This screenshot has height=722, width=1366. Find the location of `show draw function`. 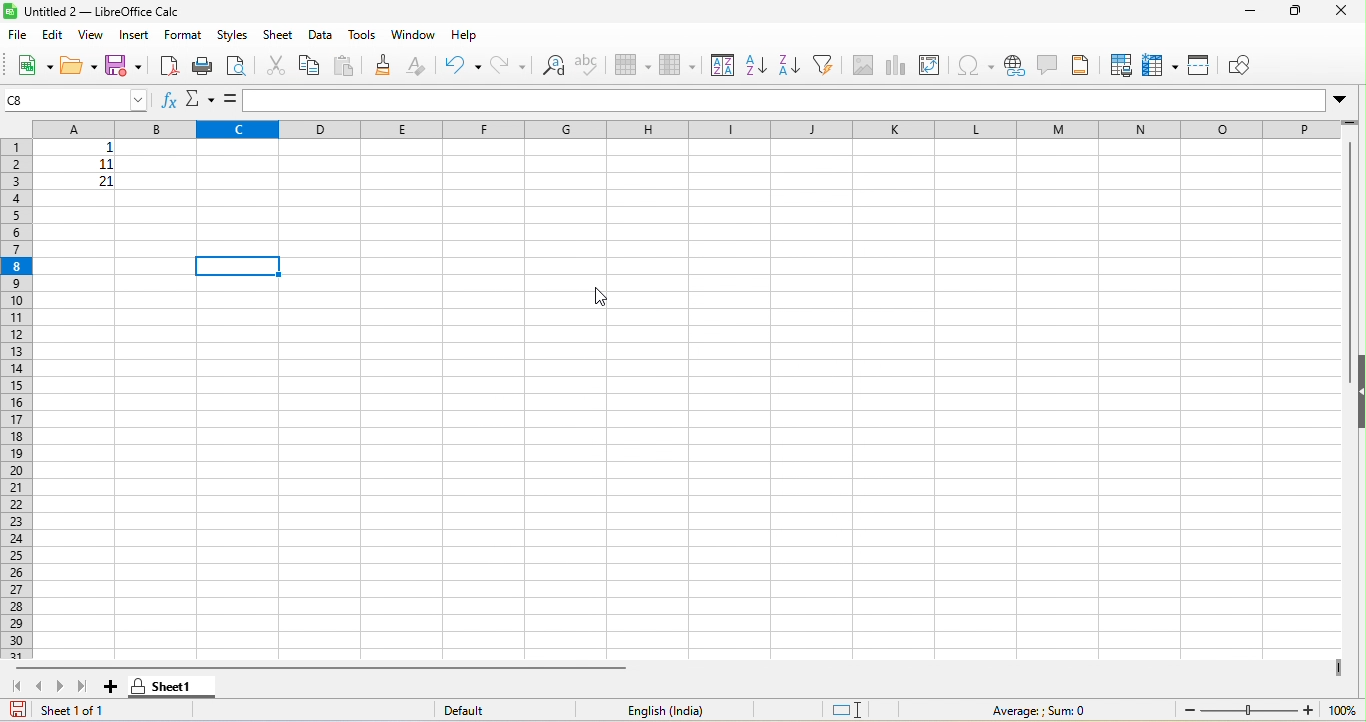

show draw function is located at coordinates (1256, 67).